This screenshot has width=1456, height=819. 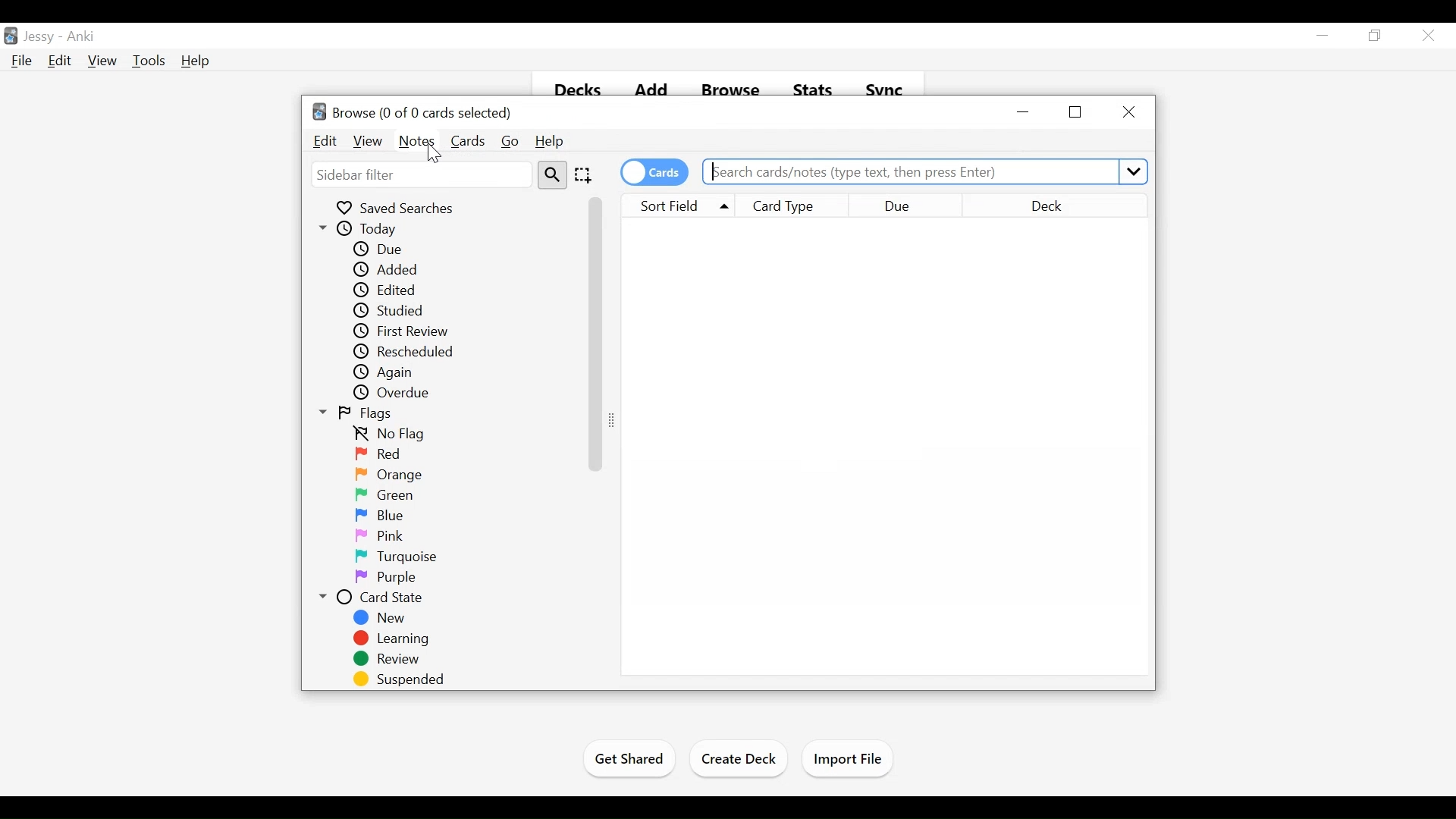 I want to click on Due, so click(x=907, y=205).